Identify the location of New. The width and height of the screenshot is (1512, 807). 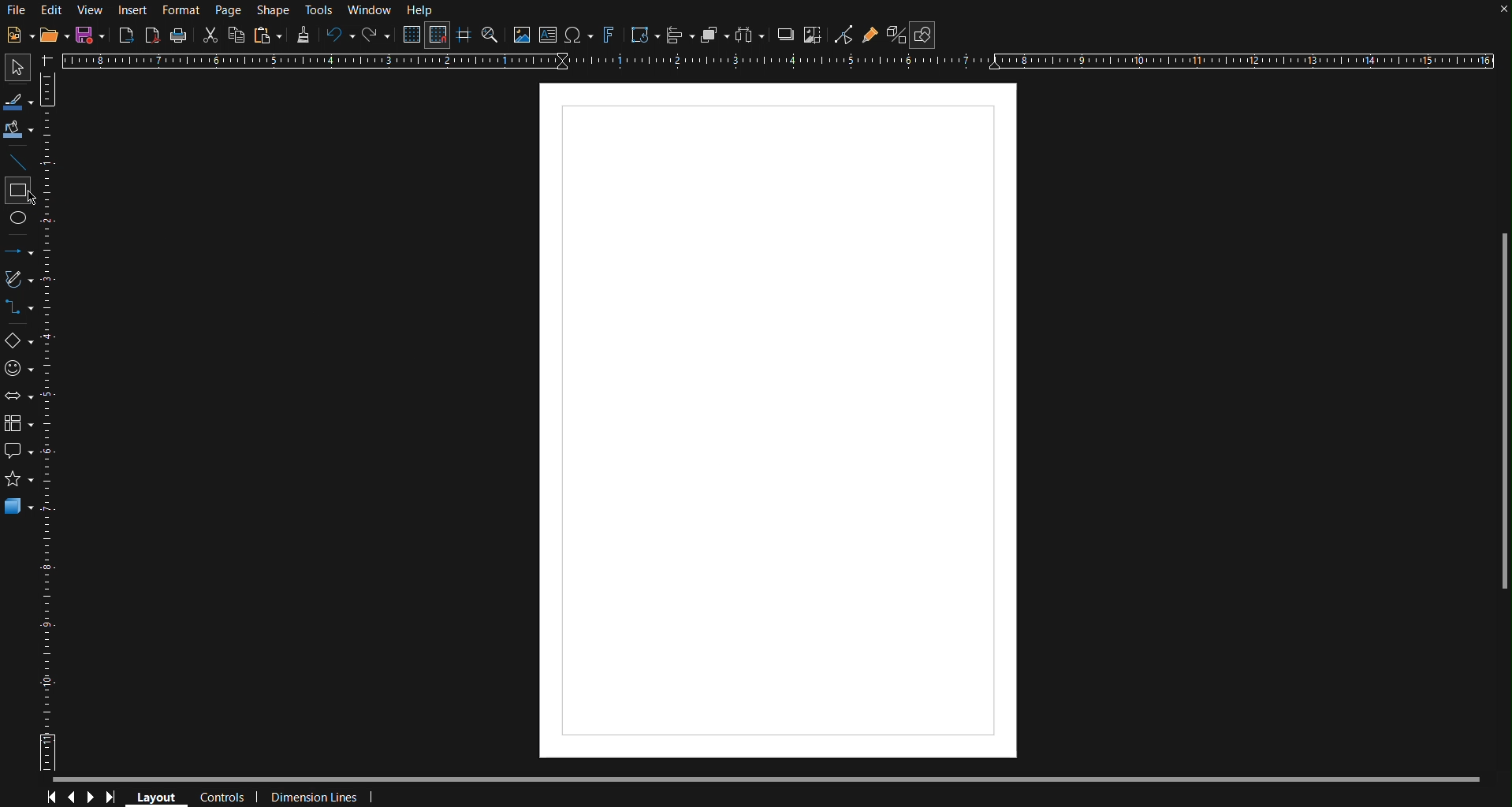
(19, 34).